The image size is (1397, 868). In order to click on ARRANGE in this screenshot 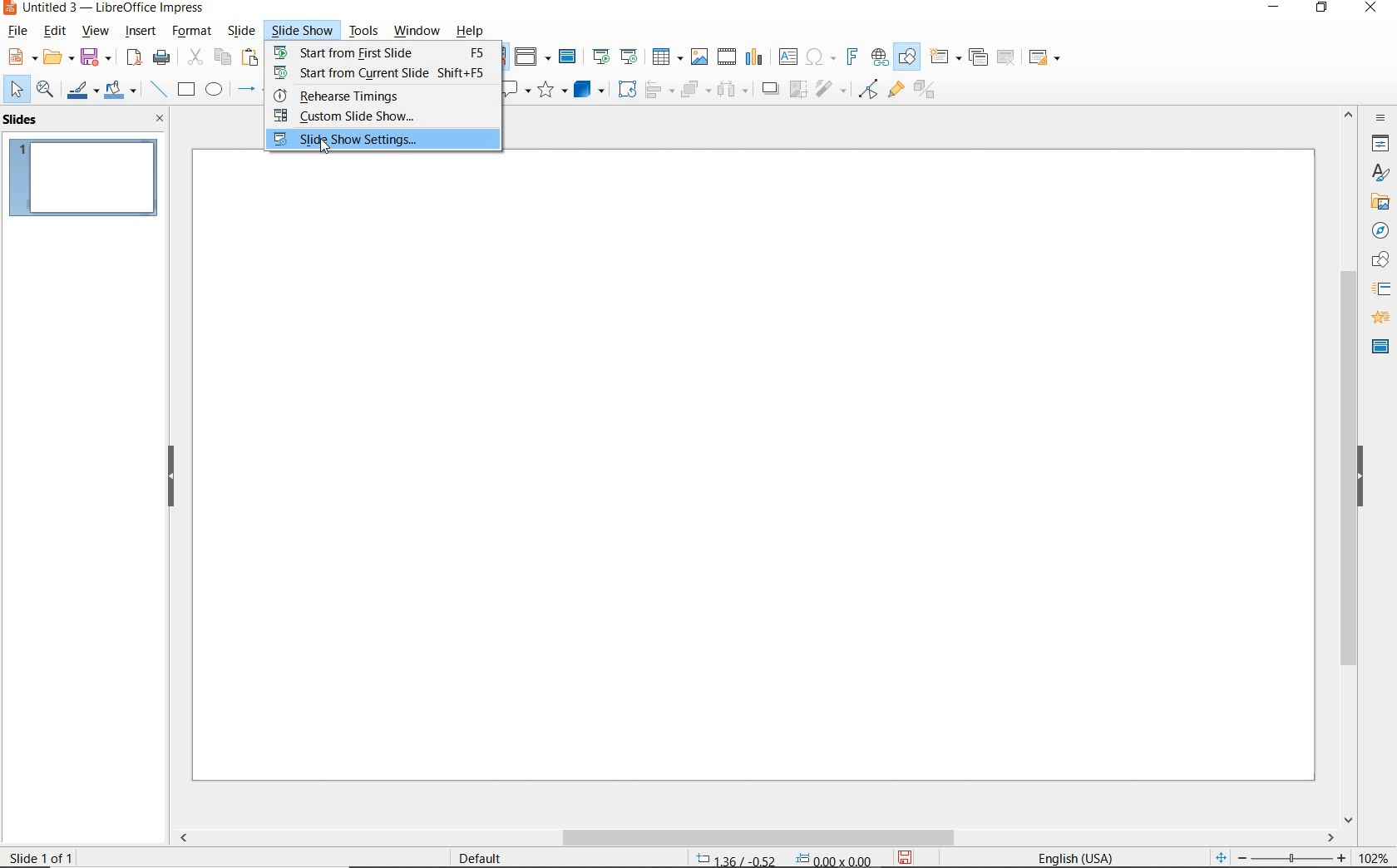, I will do `click(693, 91)`.